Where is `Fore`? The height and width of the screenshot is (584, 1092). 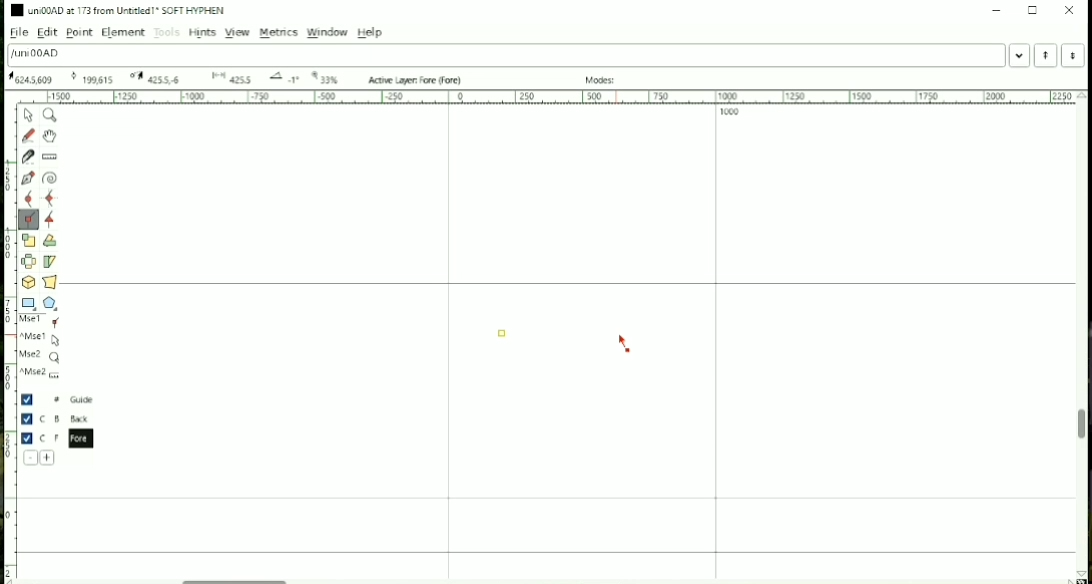
Fore is located at coordinates (63, 438).